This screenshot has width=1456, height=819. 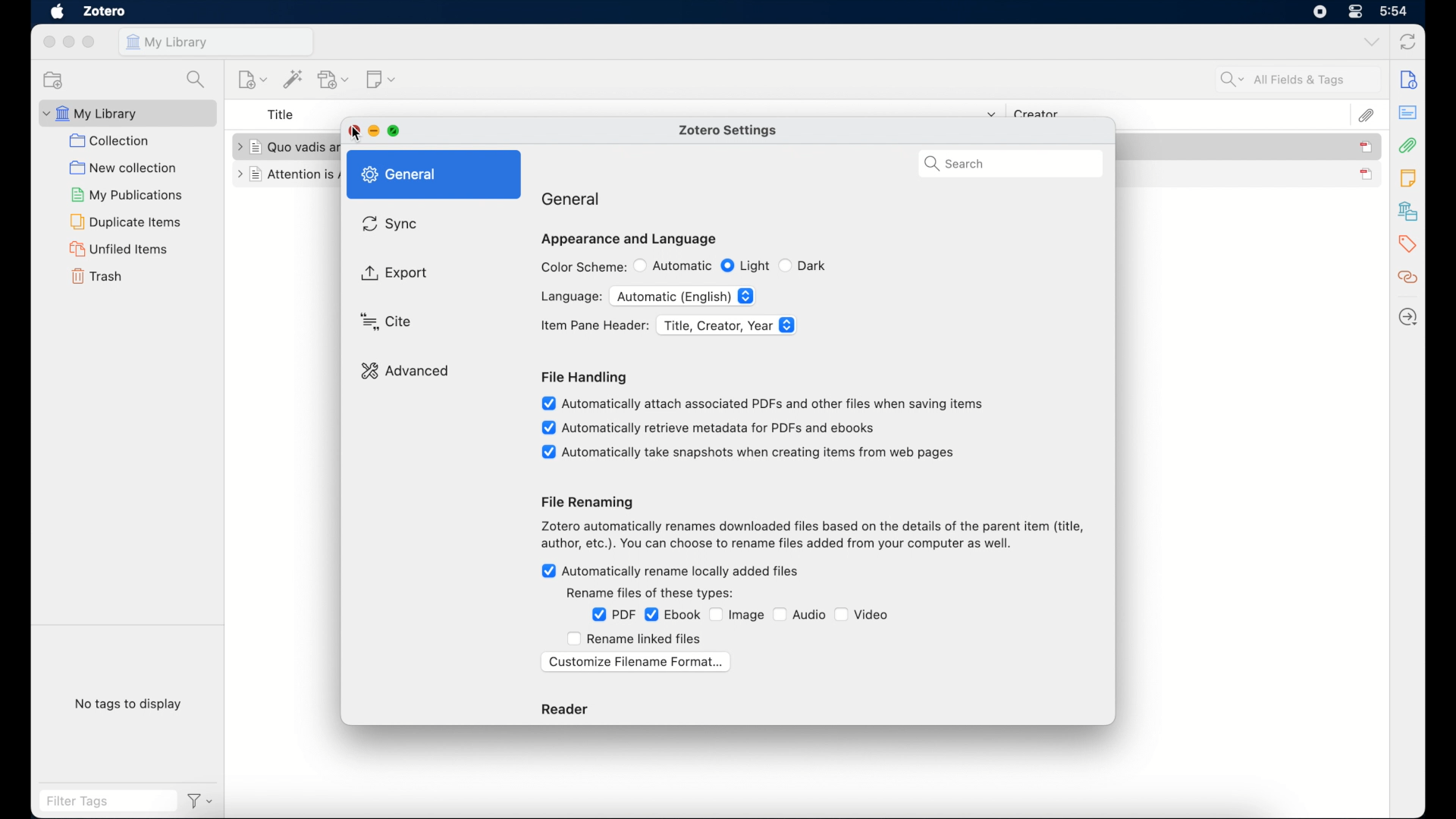 What do you see at coordinates (748, 453) in the screenshot?
I see `automatically take snapshots when items from web pages` at bounding box center [748, 453].